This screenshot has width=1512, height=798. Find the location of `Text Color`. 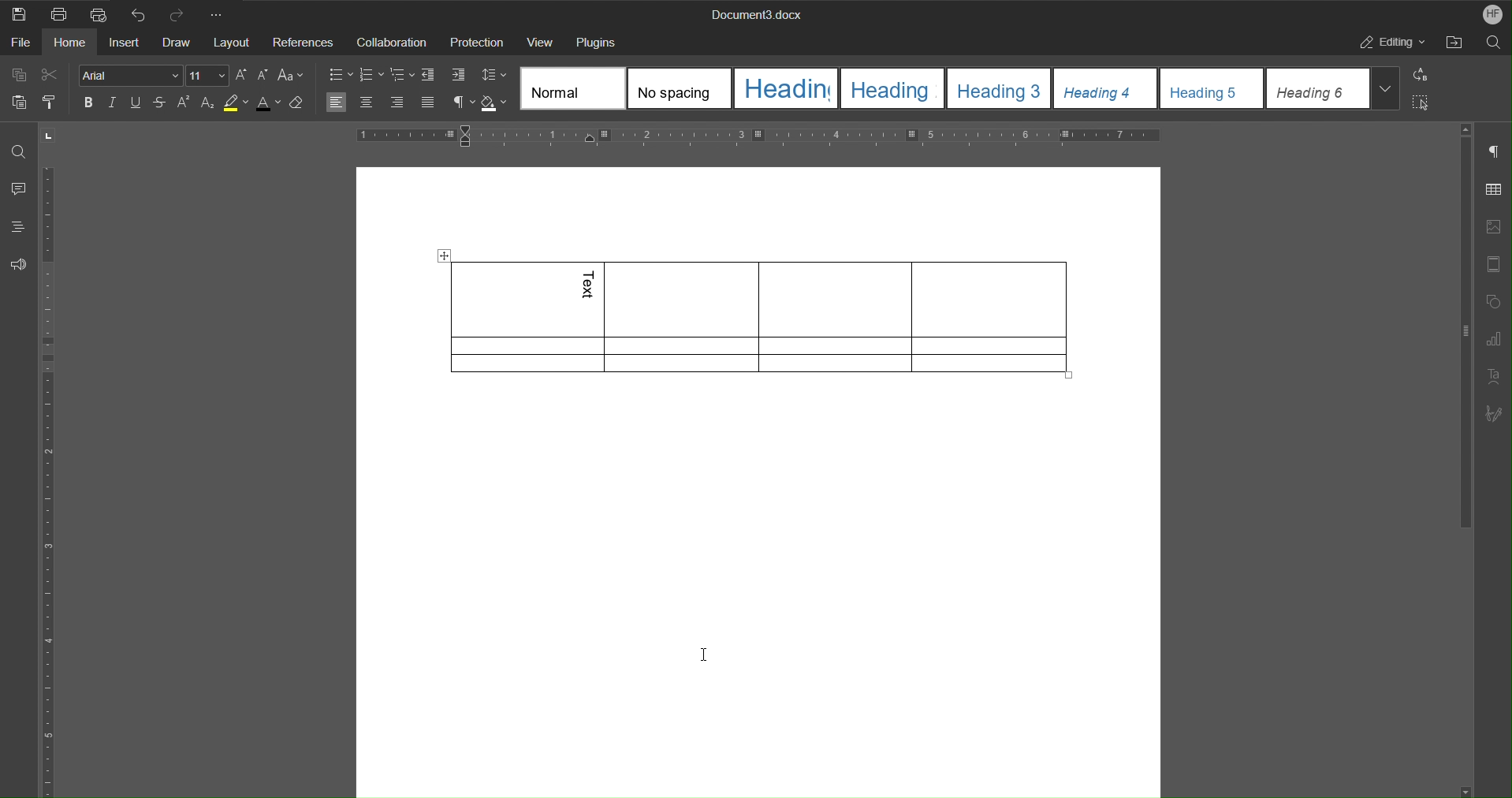

Text Color is located at coordinates (270, 103).